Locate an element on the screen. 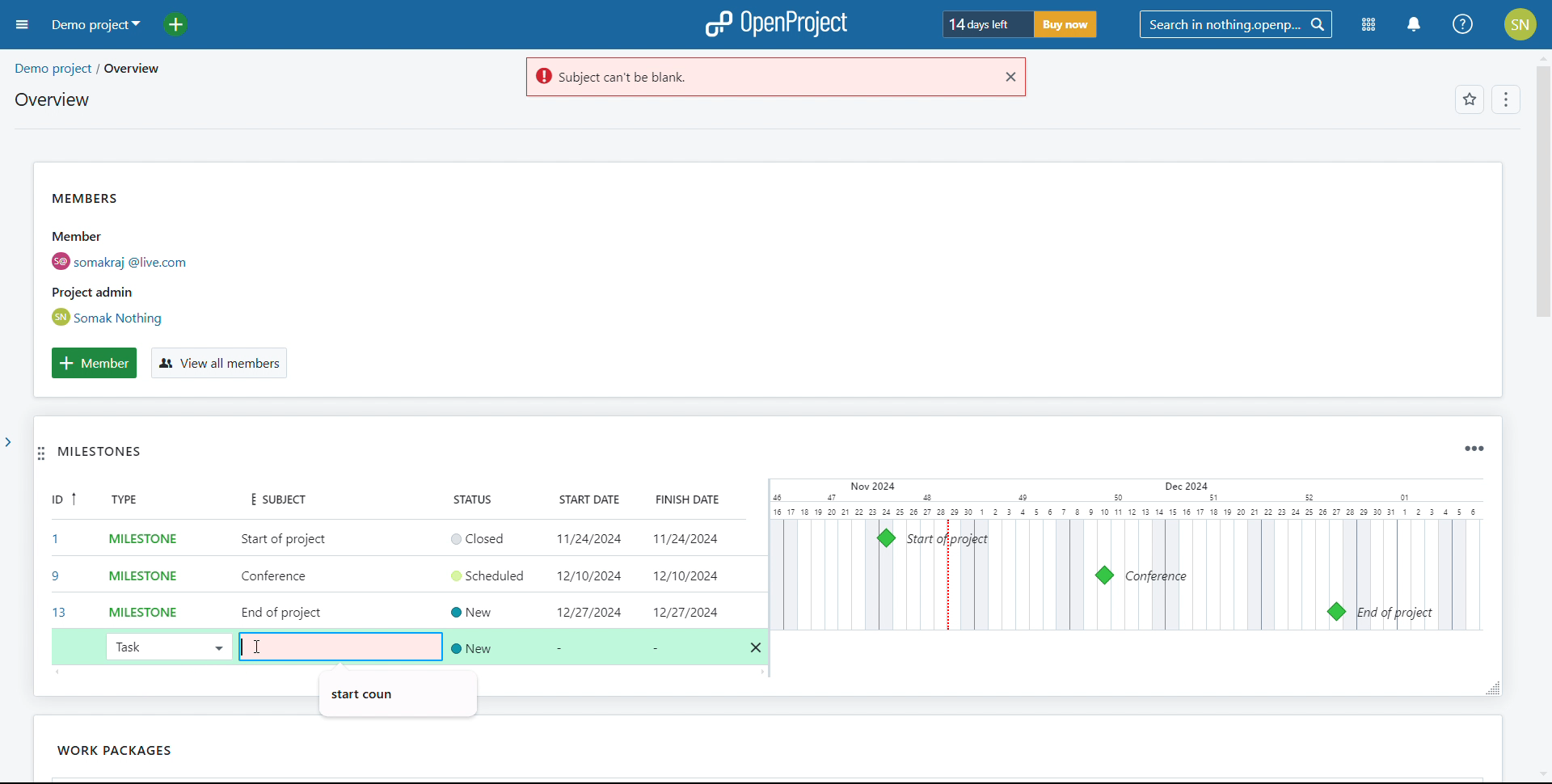  set type is located at coordinates (134, 573).